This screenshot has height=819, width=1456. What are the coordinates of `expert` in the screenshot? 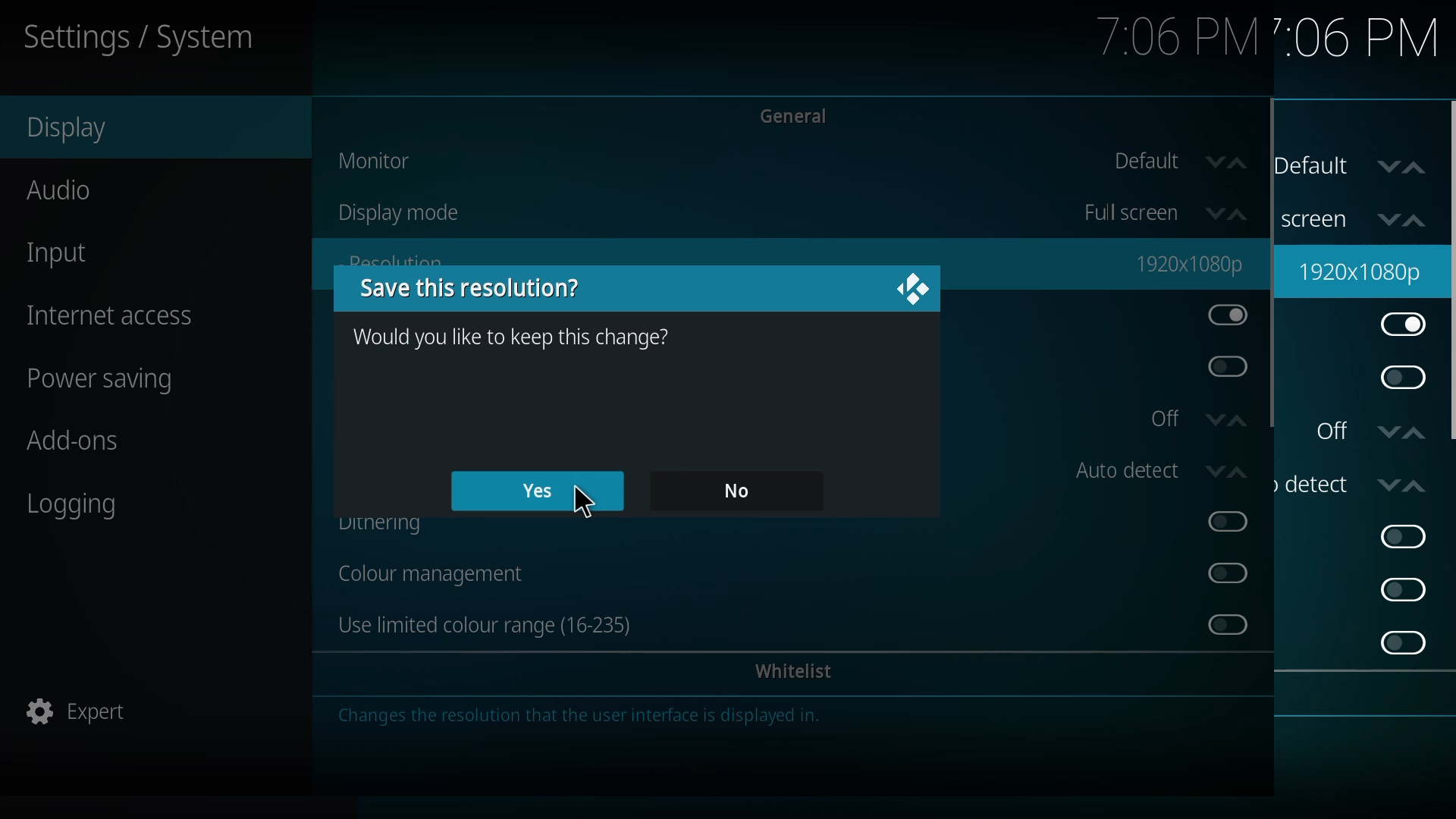 It's located at (89, 715).